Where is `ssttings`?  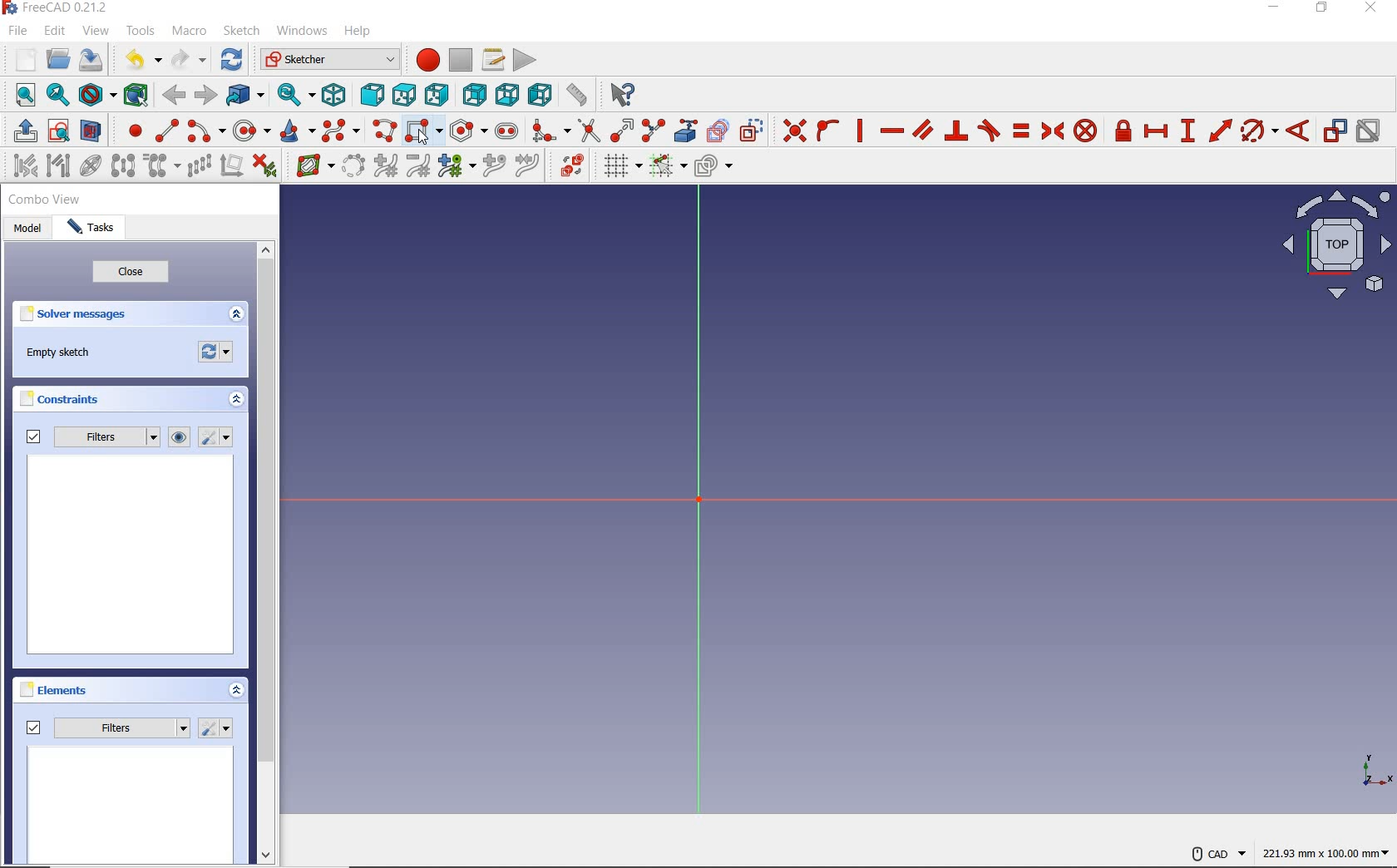 ssttings is located at coordinates (218, 438).